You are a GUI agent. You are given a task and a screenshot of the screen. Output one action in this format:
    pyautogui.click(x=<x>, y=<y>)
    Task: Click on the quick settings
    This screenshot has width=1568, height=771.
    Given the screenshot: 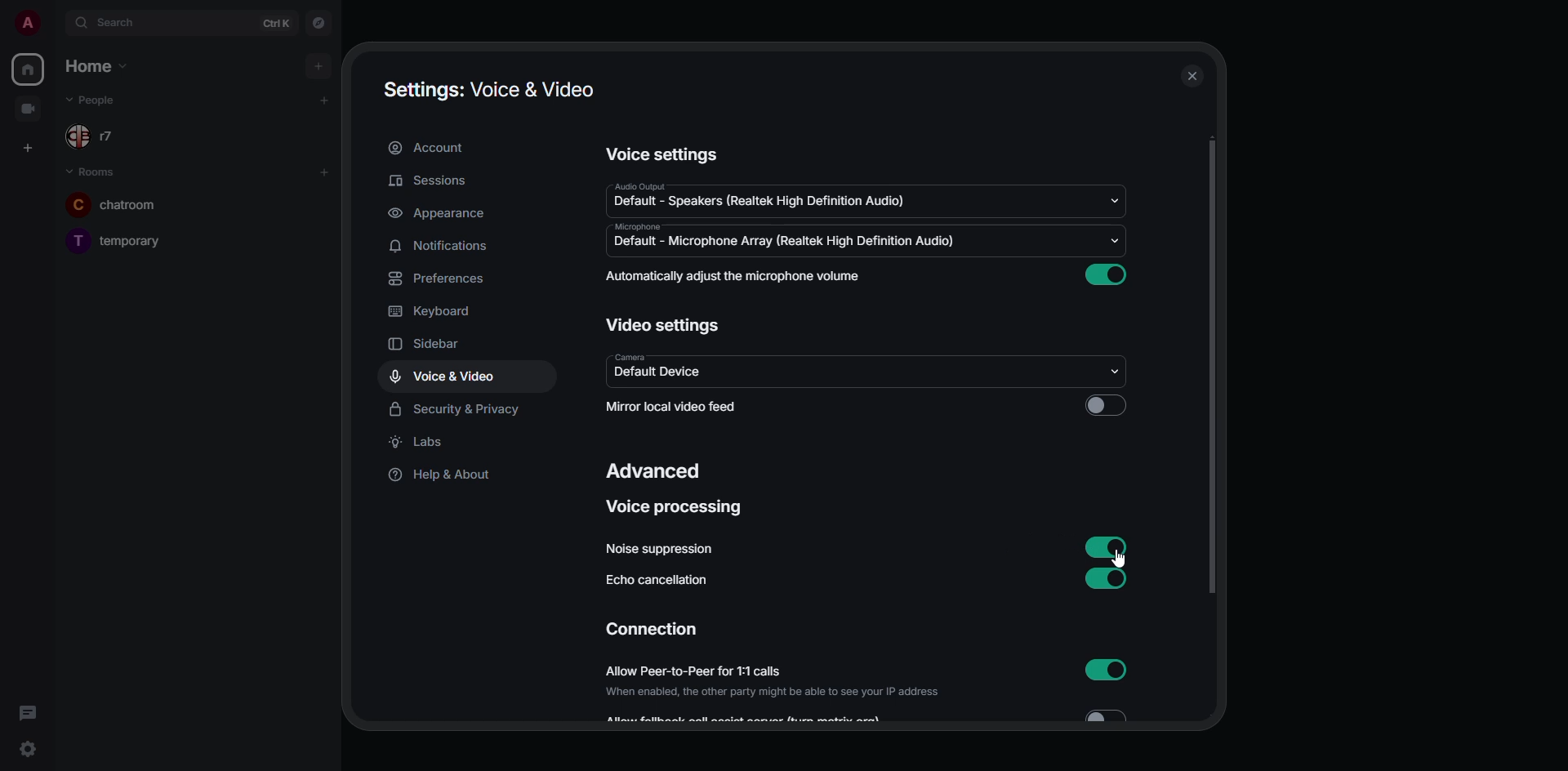 What is the action you would take?
    pyautogui.click(x=26, y=749)
    